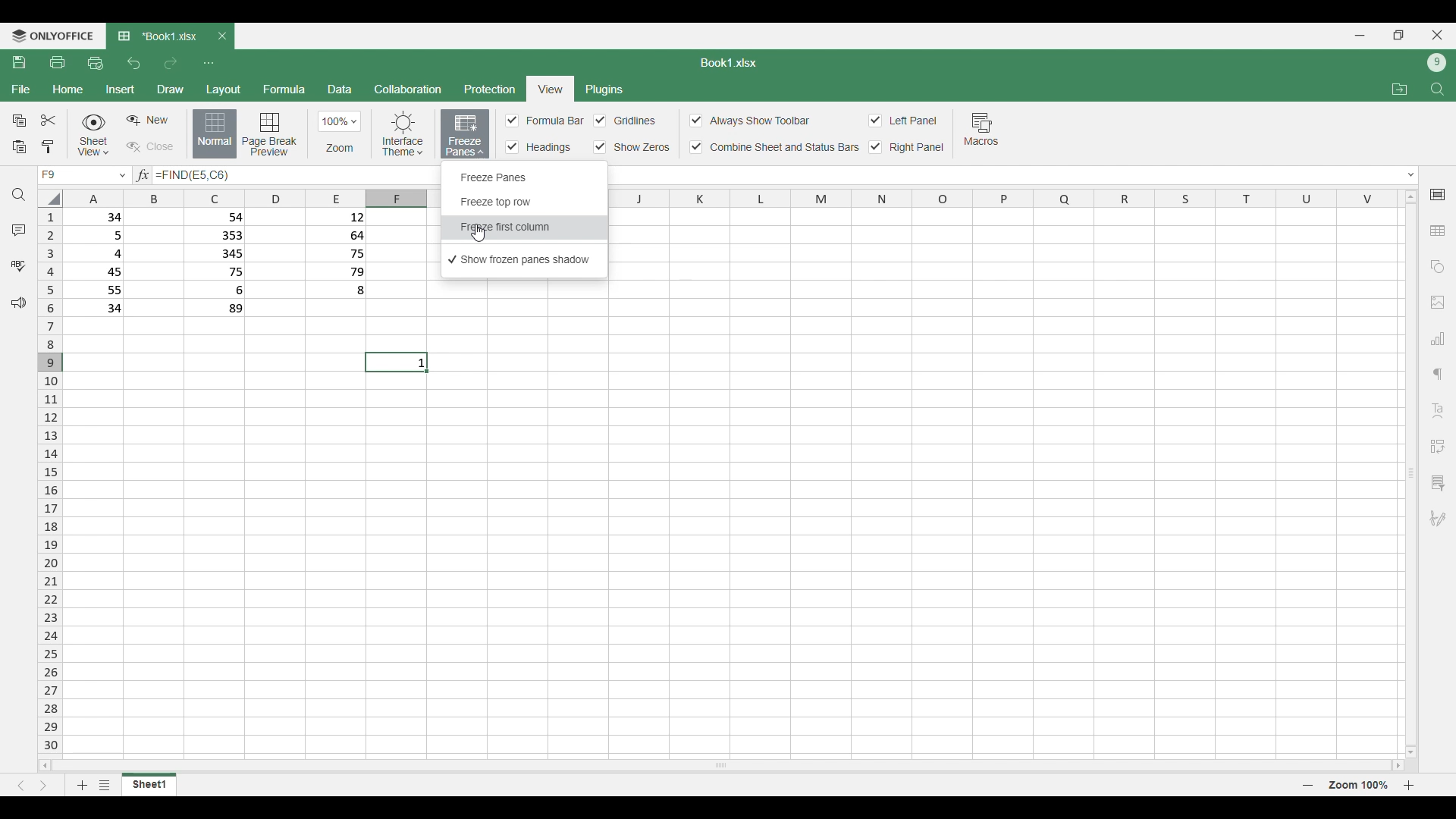 The height and width of the screenshot is (819, 1456). I want to click on Close sheet view, so click(149, 148).